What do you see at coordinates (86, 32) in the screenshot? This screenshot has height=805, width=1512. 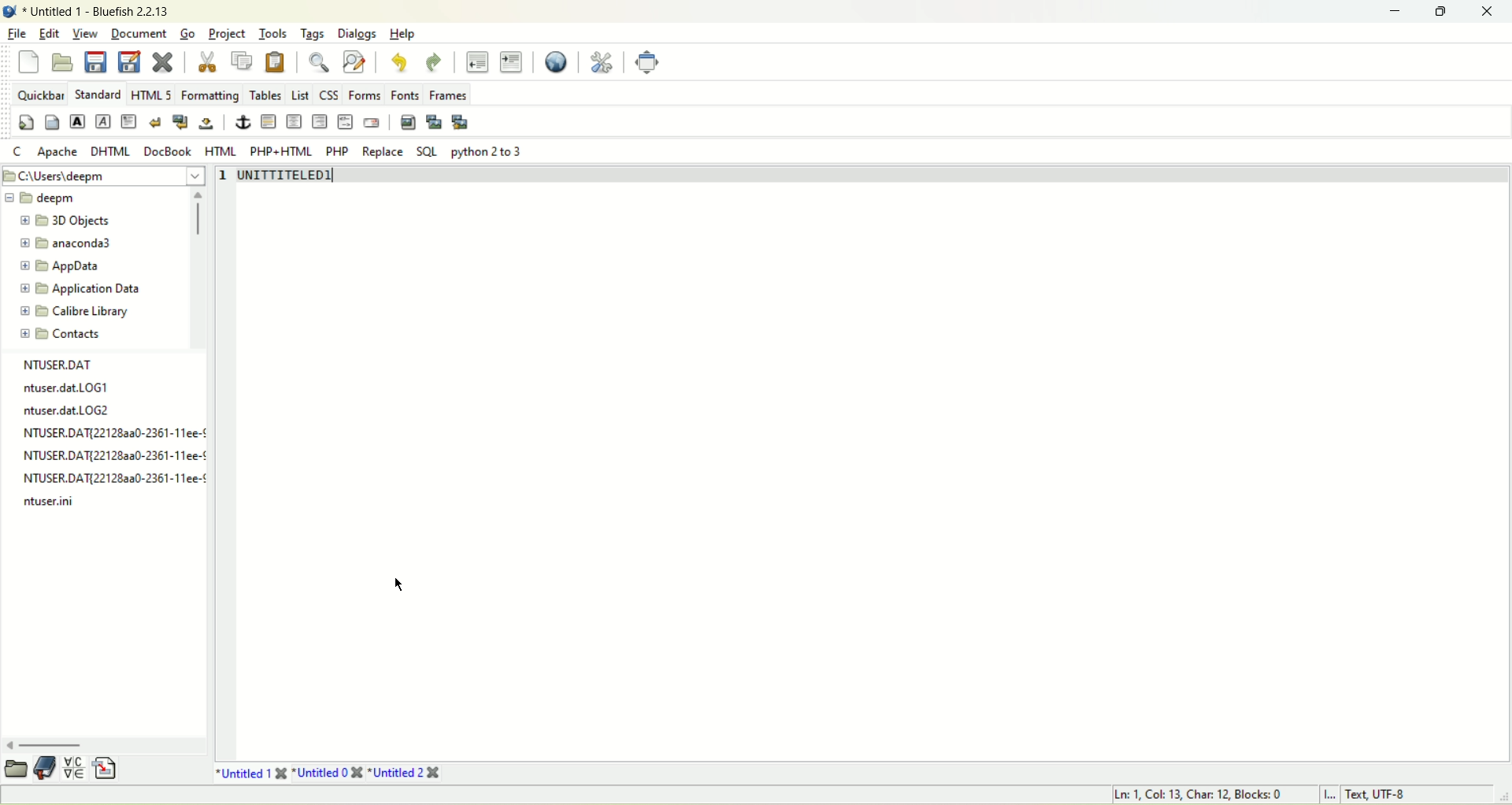 I see `View` at bounding box center [86, 32].